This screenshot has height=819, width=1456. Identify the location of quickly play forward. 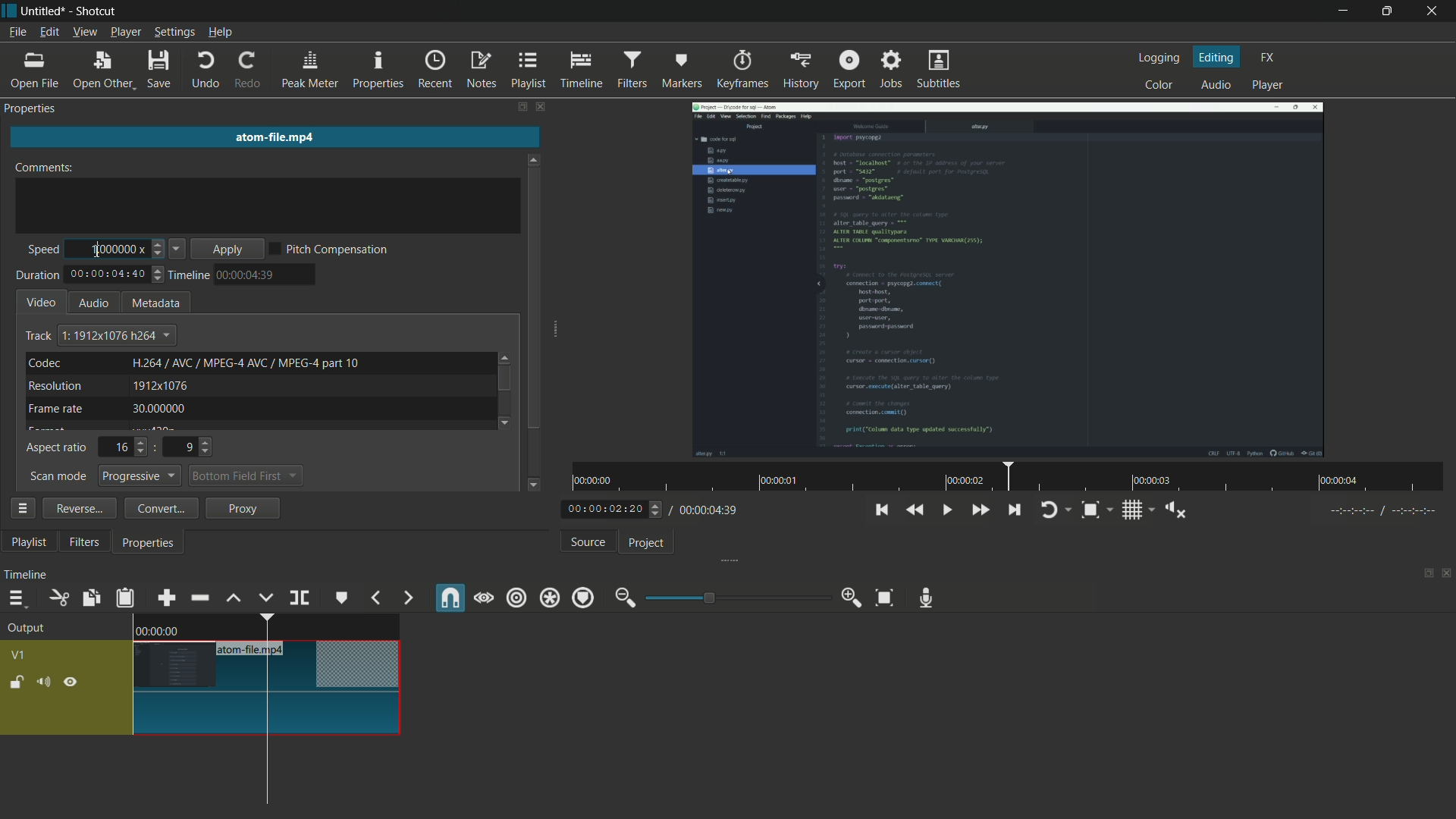
(982, 511).